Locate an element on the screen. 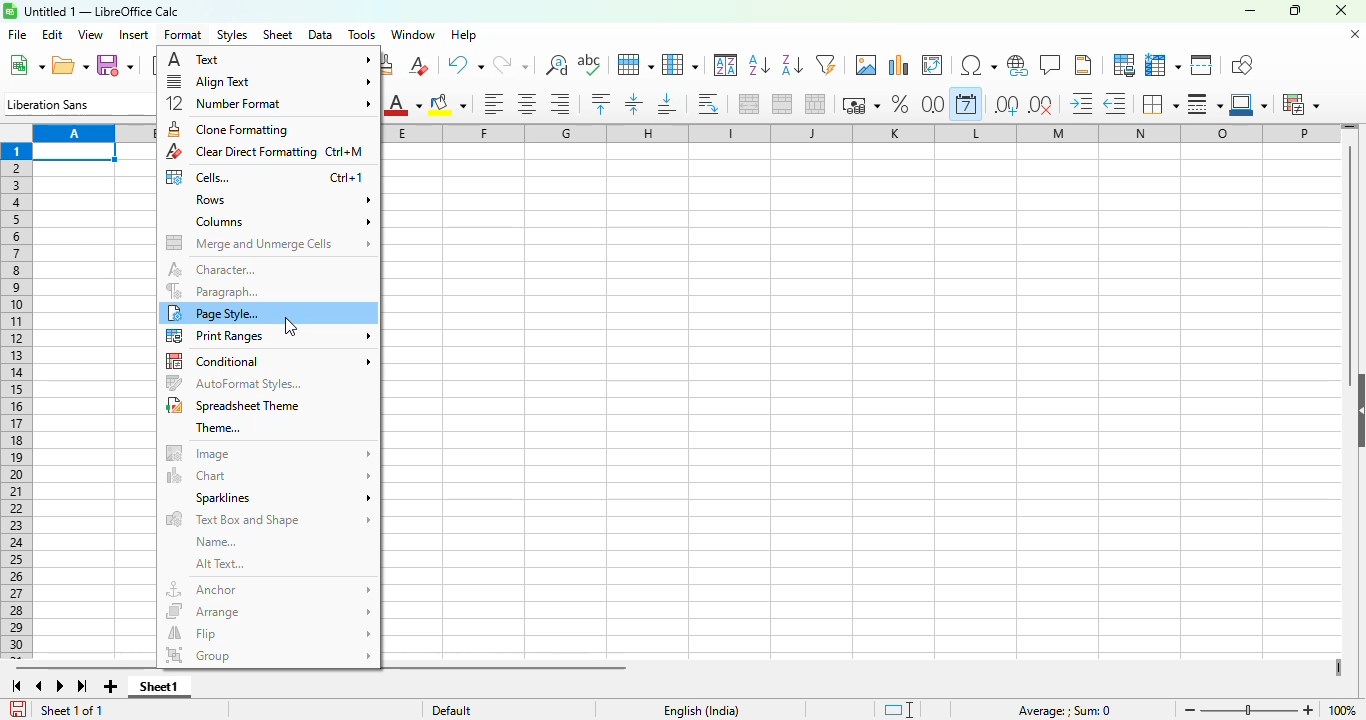 Image resolution: width=1366 pixels, height=720 pixels. insert hyperlink is located at coordinates (1019, 65).